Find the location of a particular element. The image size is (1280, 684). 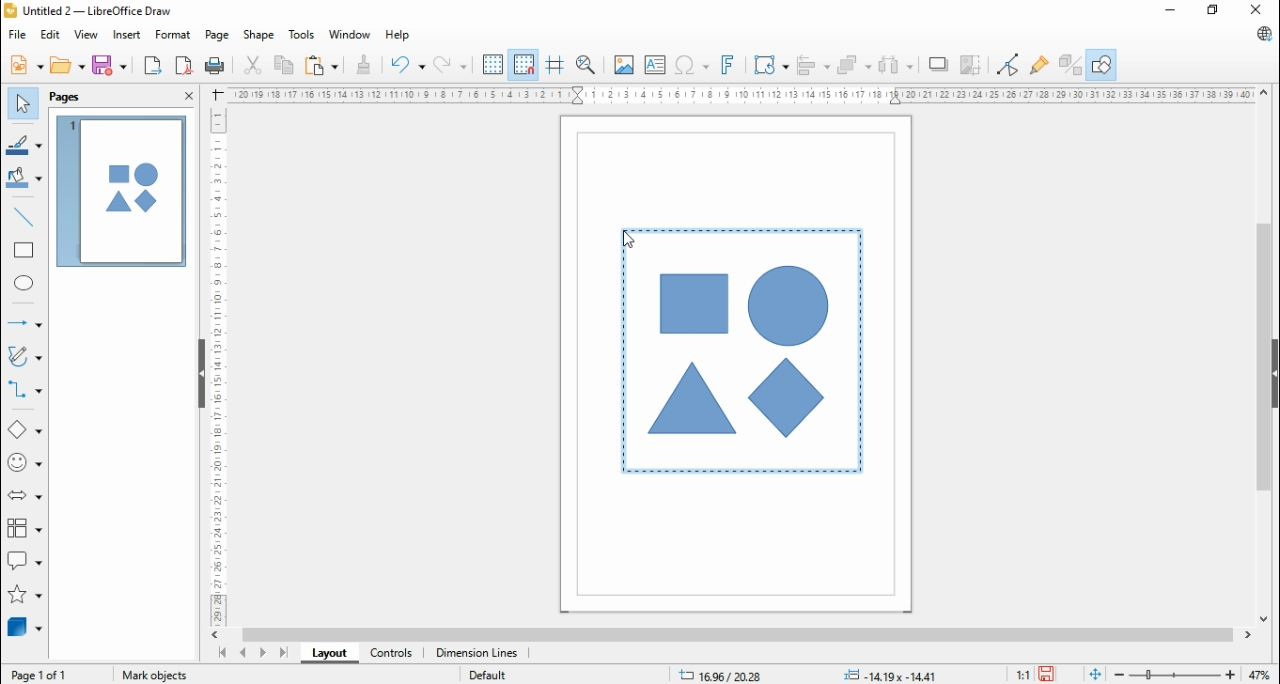

vertical scale is located at coordinates (215, 365).